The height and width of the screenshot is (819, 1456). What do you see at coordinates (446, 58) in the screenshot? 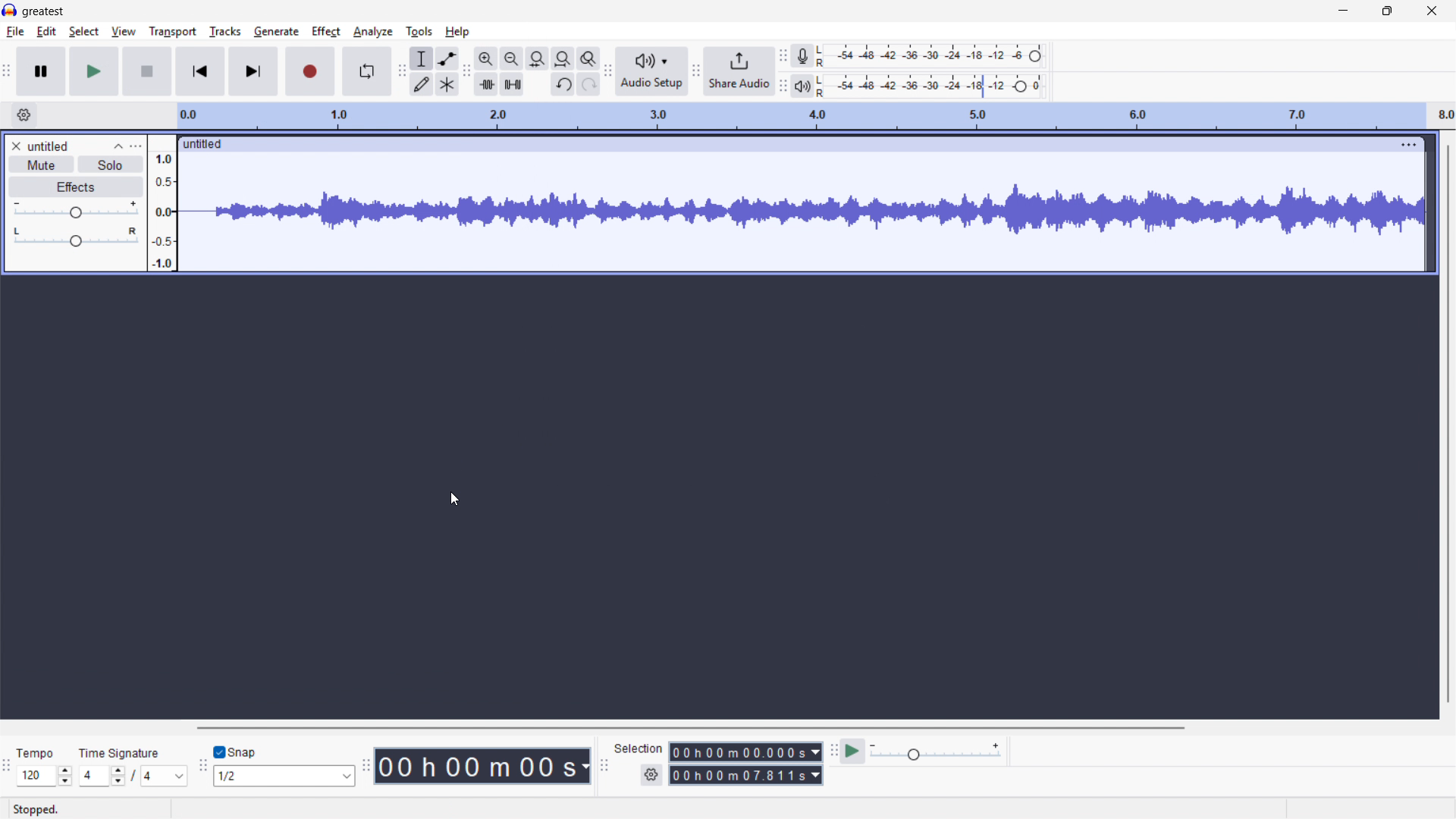
I see `envelope tool` at bounding box center [446, 58].